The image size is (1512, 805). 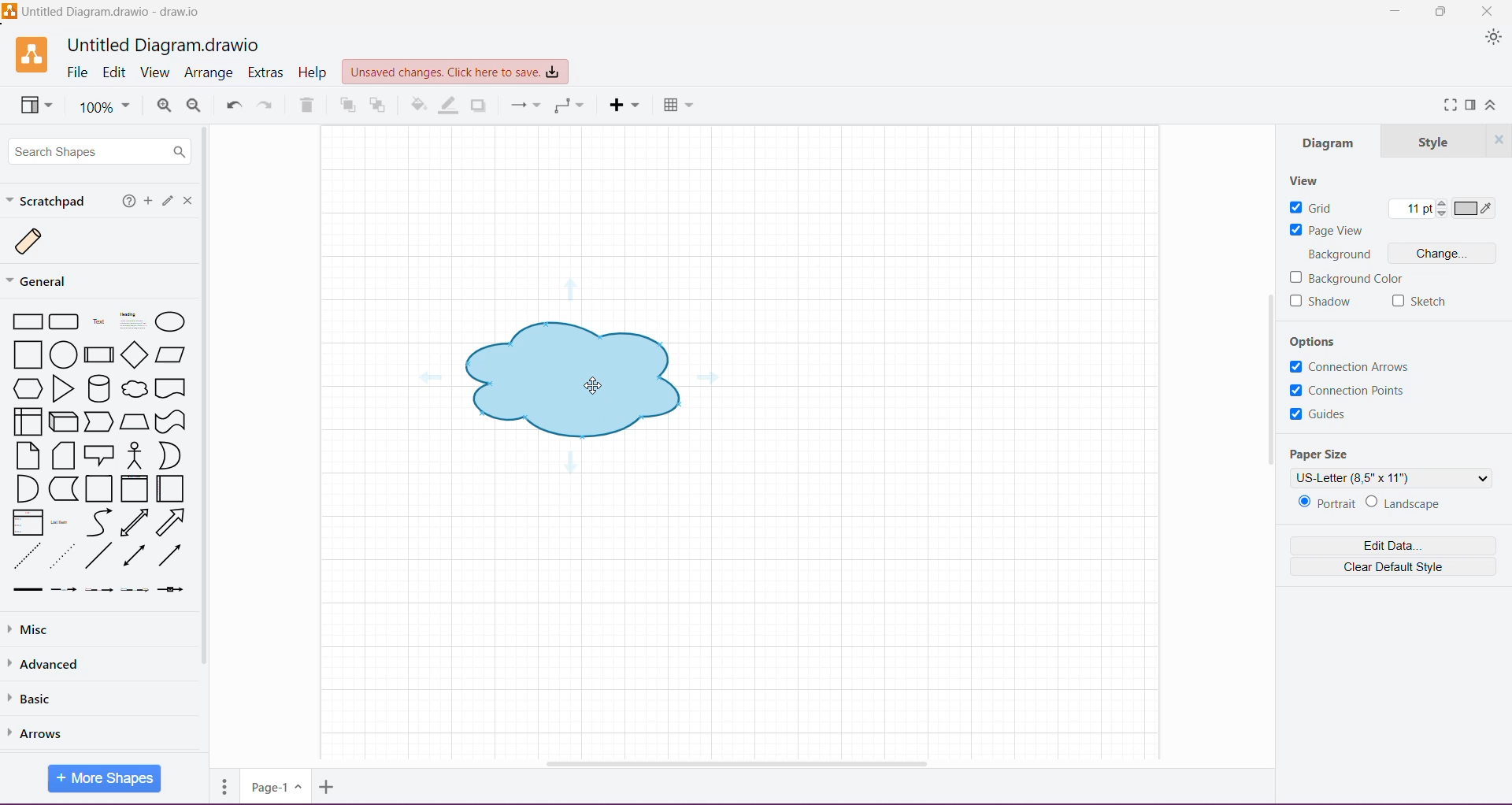 What do you see at coordinates (1350, 365) in the screenshot?
I see `Connection Arrows` at bounding box center [1350, 365].